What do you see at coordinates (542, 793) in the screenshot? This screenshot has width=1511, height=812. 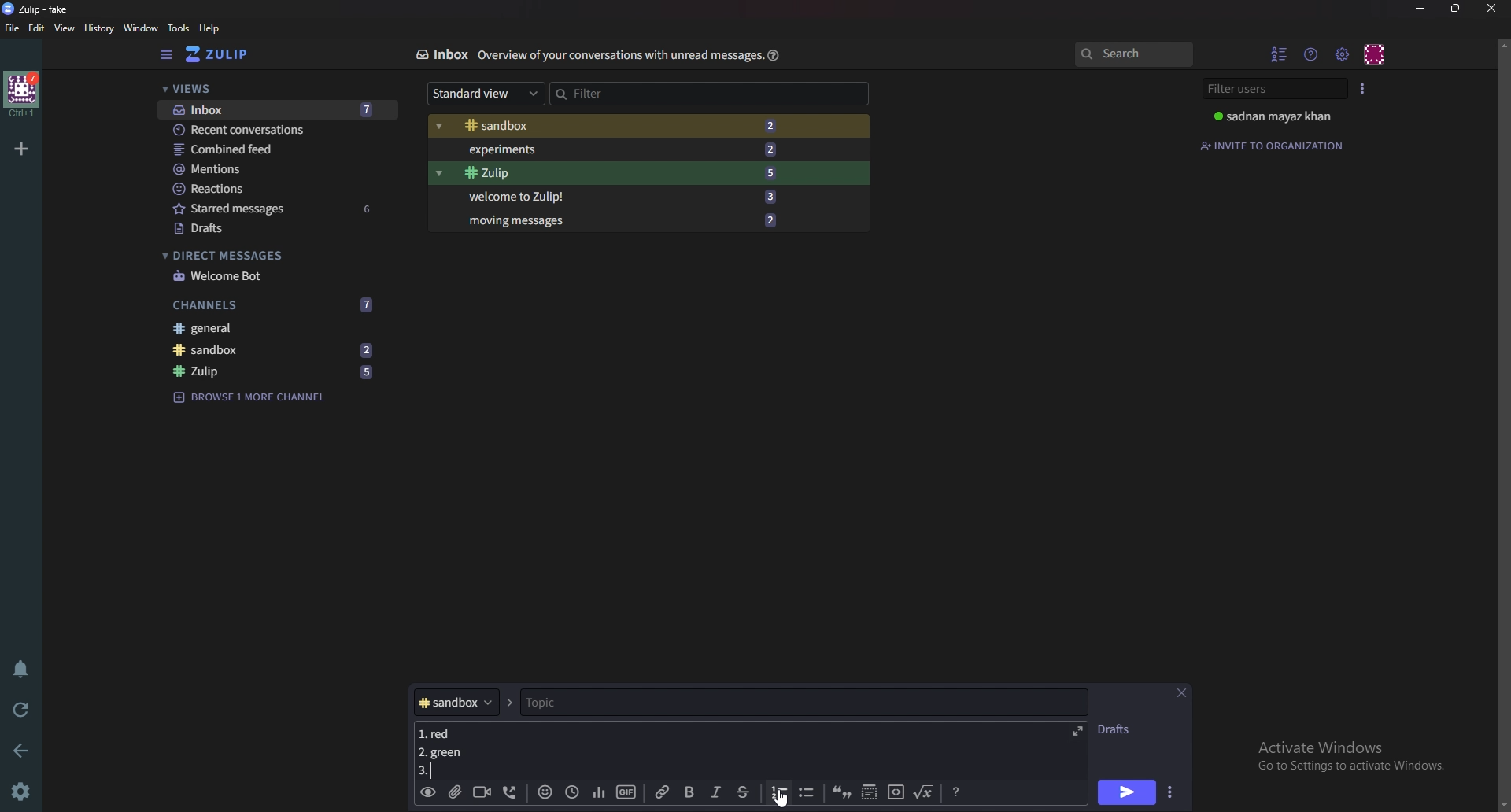 I see `Emoji` at bounding box center [542, 793].